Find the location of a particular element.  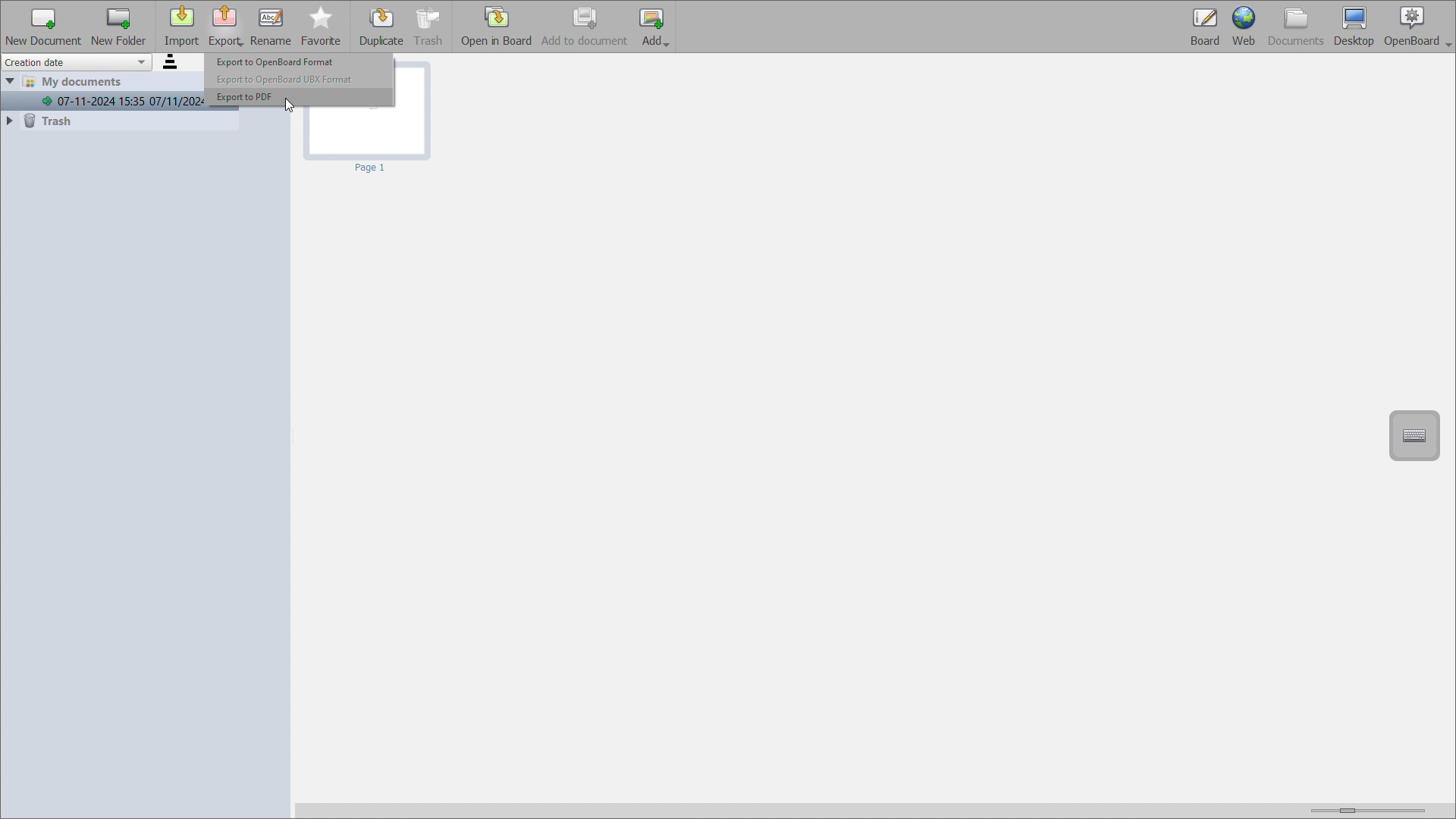

export is located at coordinates (225, 27).